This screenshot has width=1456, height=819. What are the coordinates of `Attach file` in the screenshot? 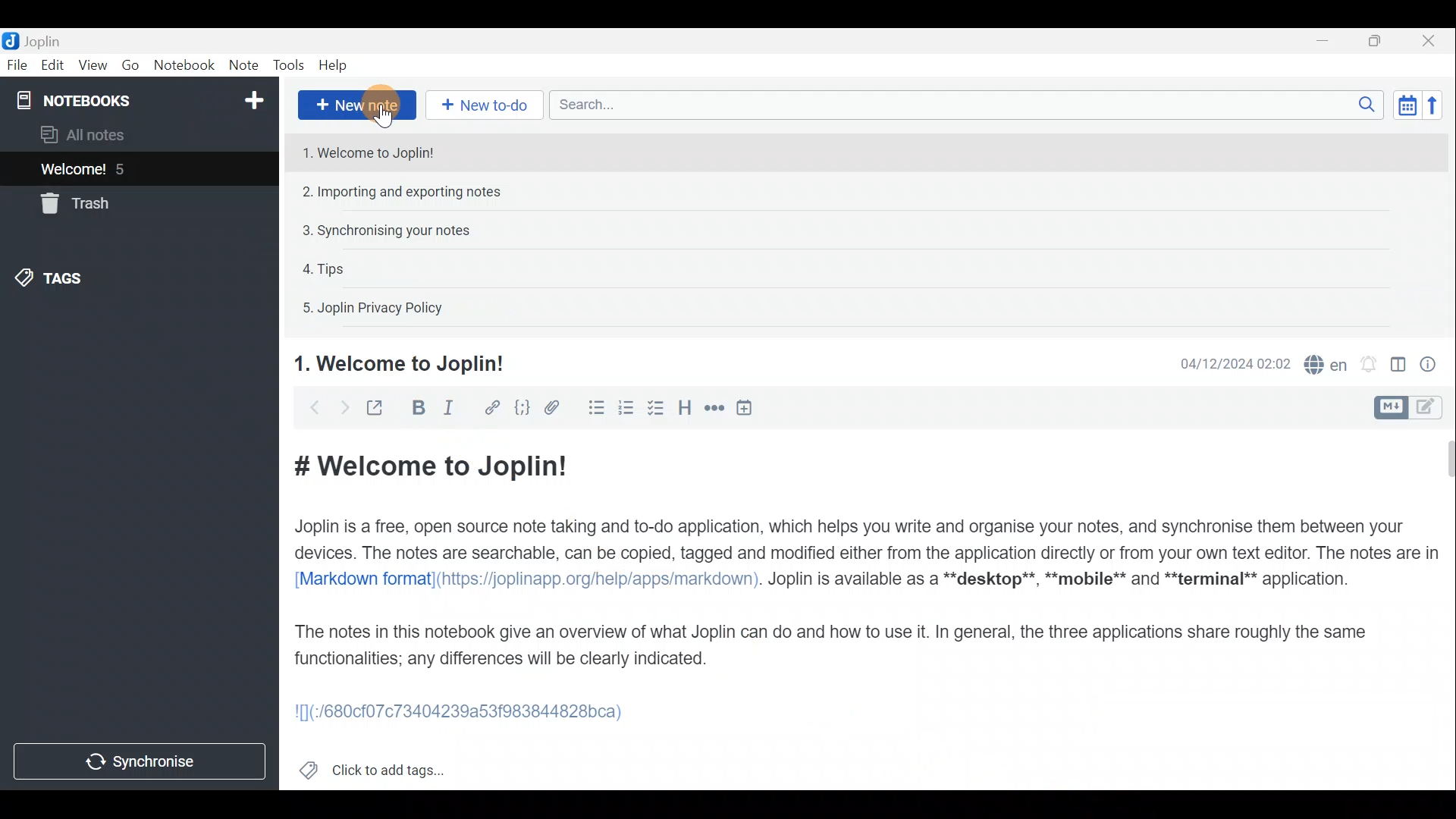 It's located at (559, 408).